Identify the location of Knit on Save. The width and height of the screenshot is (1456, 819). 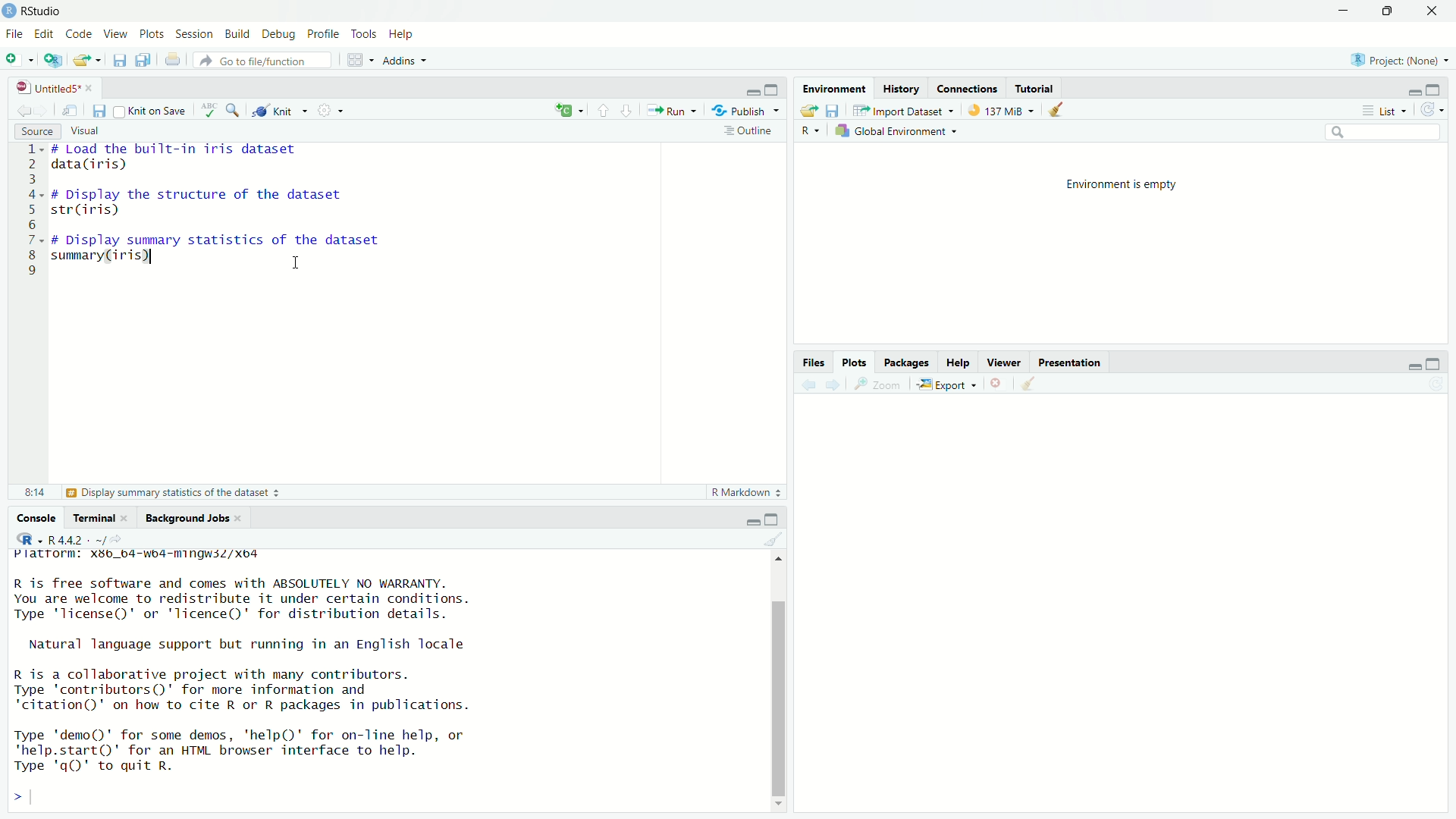
(150, 111).